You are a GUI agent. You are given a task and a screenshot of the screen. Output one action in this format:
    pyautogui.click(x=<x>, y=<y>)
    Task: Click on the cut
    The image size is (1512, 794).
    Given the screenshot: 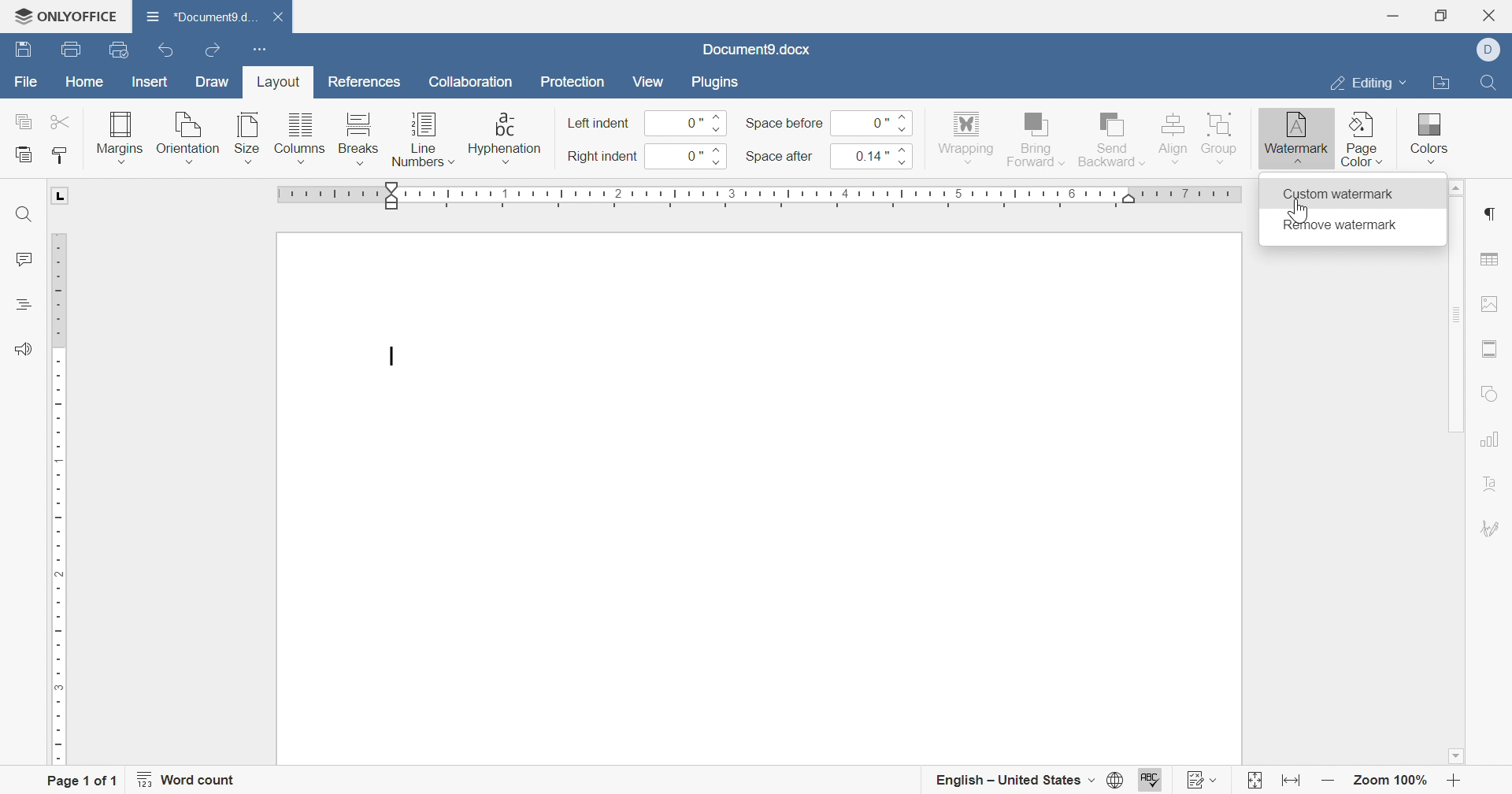 What is the action you would take?
    pyautogui.click(x=62, y=121)
    